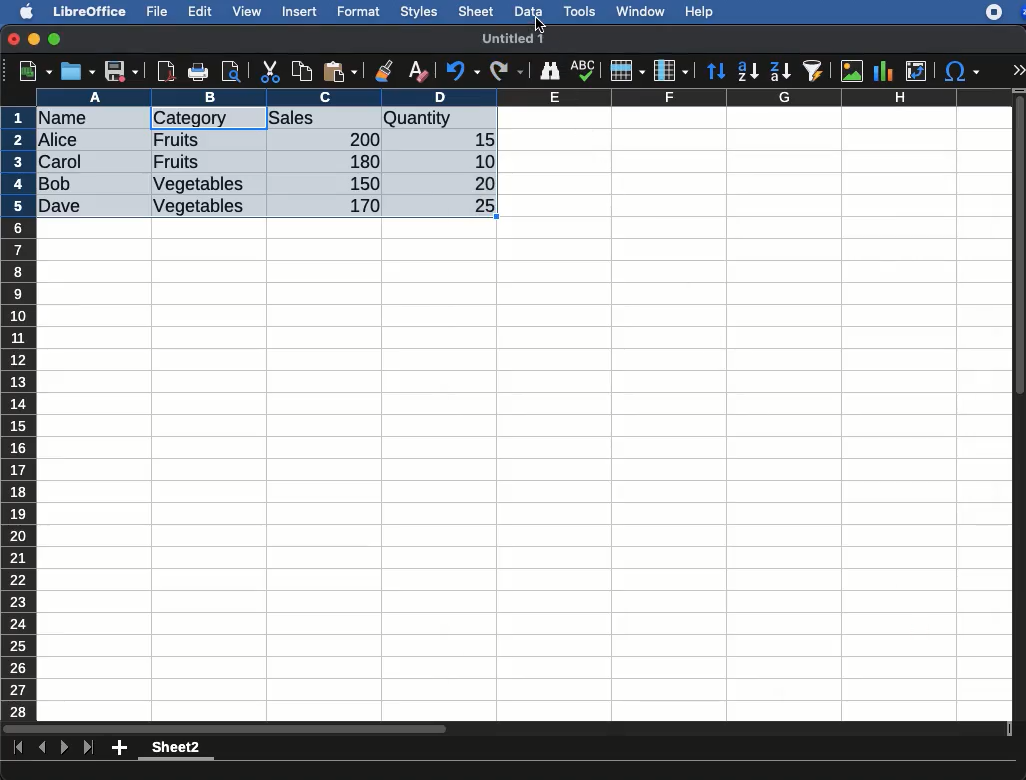 The height and width of the screenshot is (780, 1026). I want to click on file, so click(154, 12).